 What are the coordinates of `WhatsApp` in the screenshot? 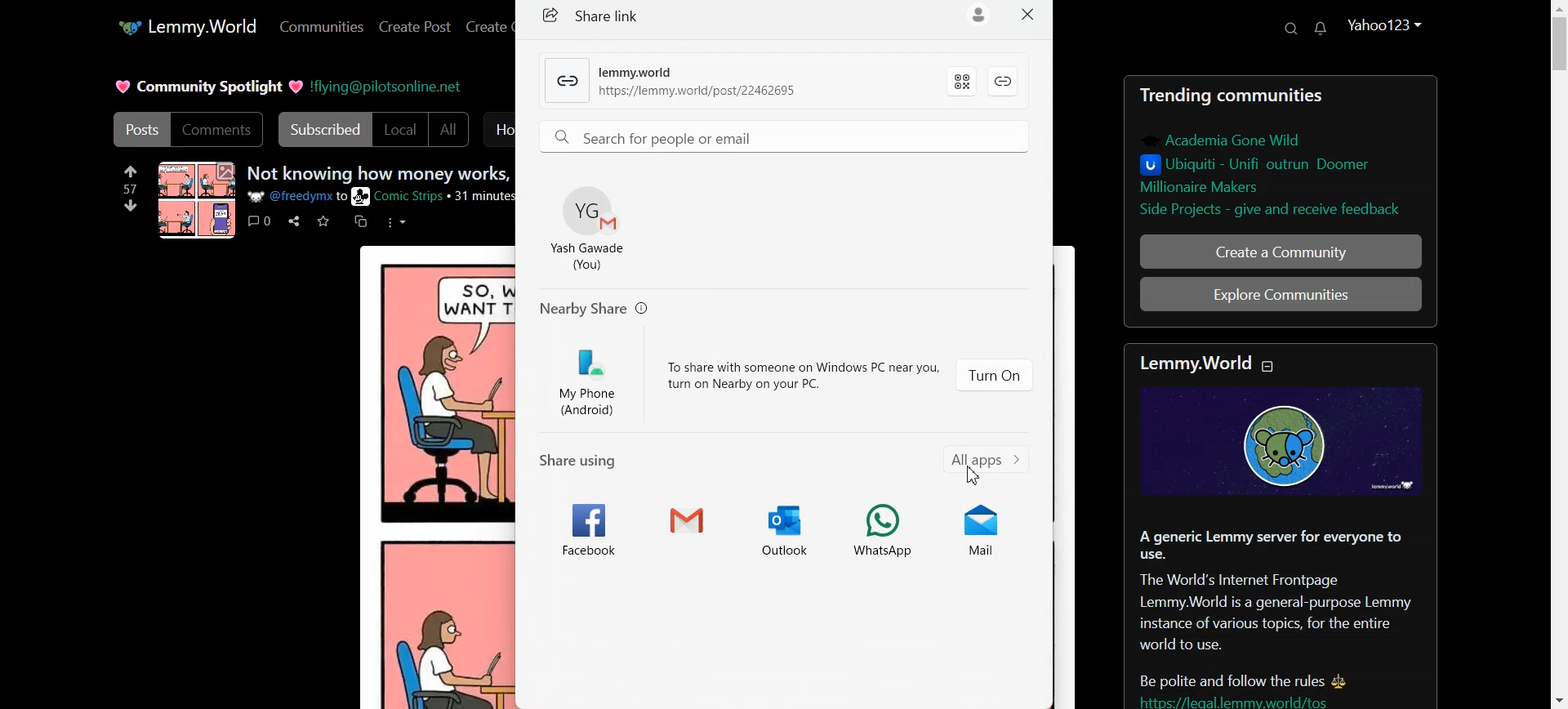 It's located at (886, 526).